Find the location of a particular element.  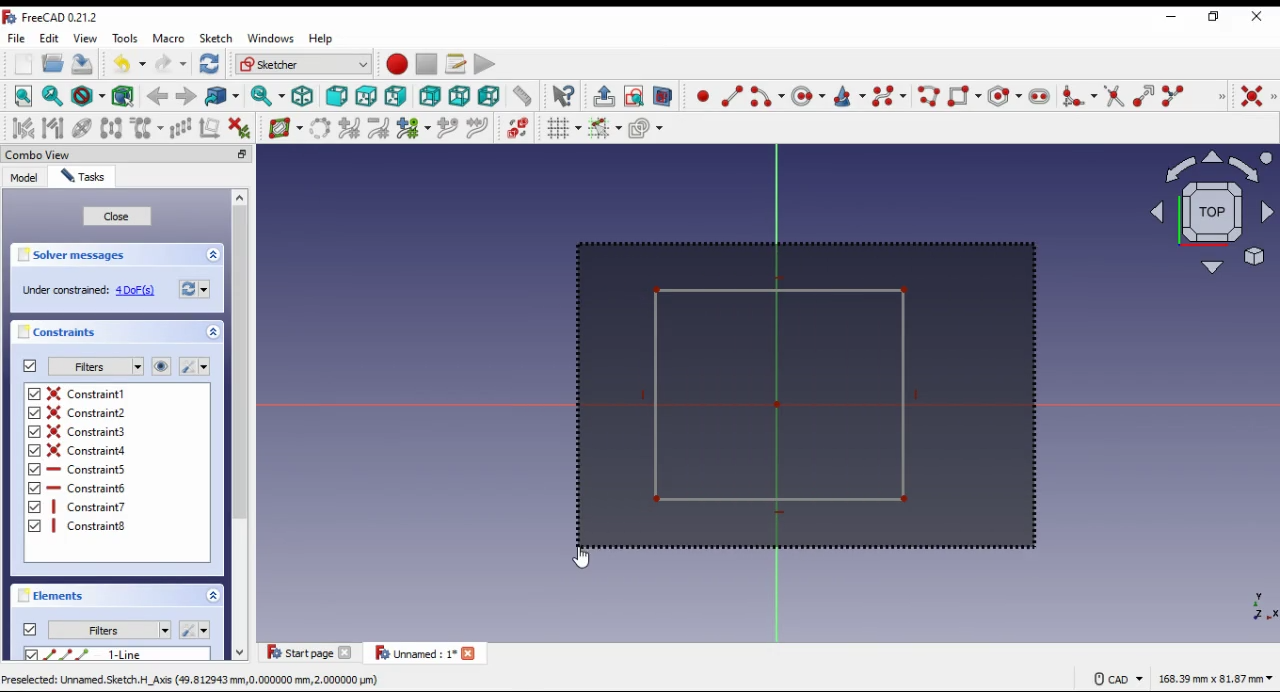

checkbox is located at coordinates (34, 462).